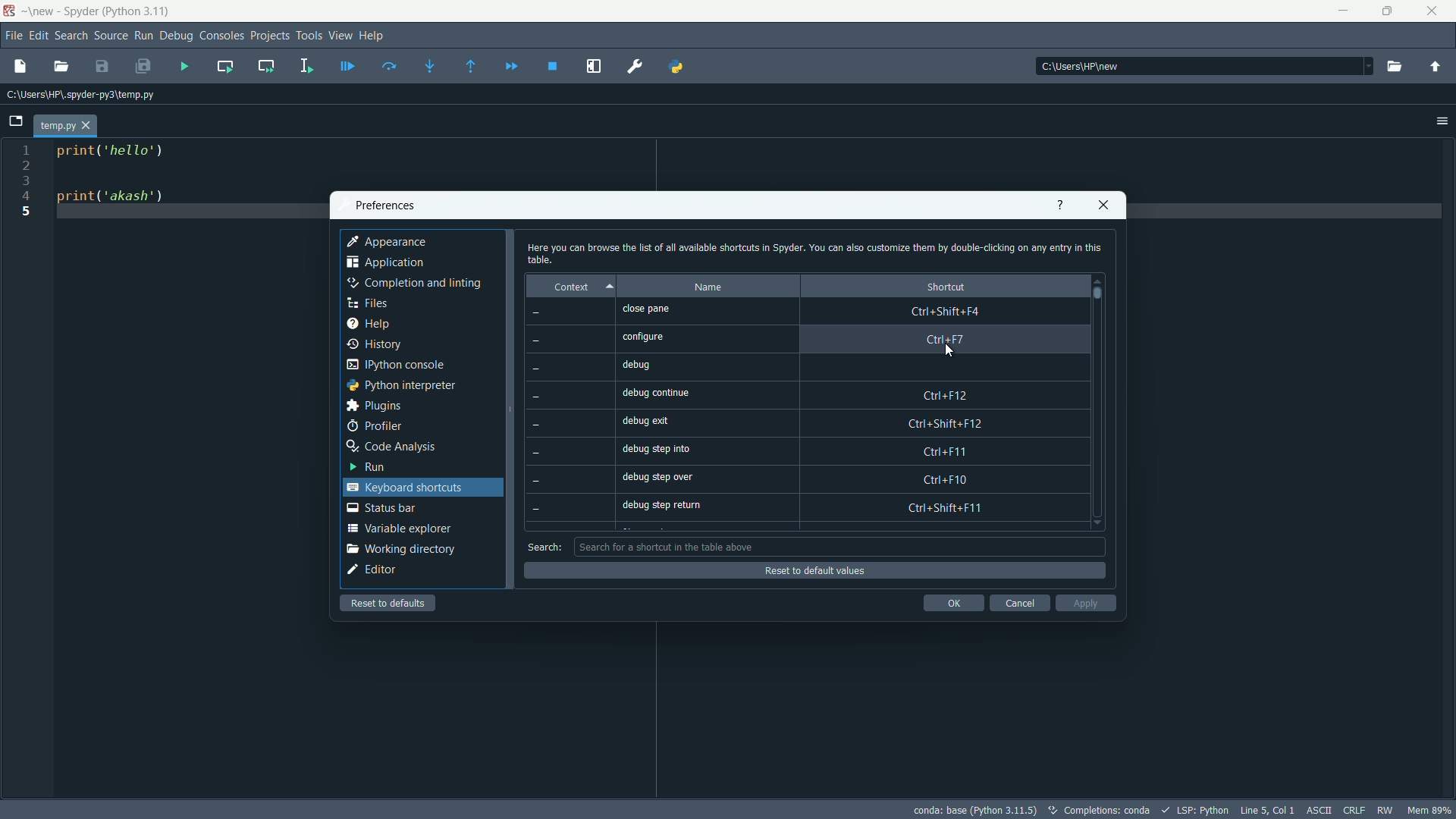  I want to click on rw, so click(1387, 810).